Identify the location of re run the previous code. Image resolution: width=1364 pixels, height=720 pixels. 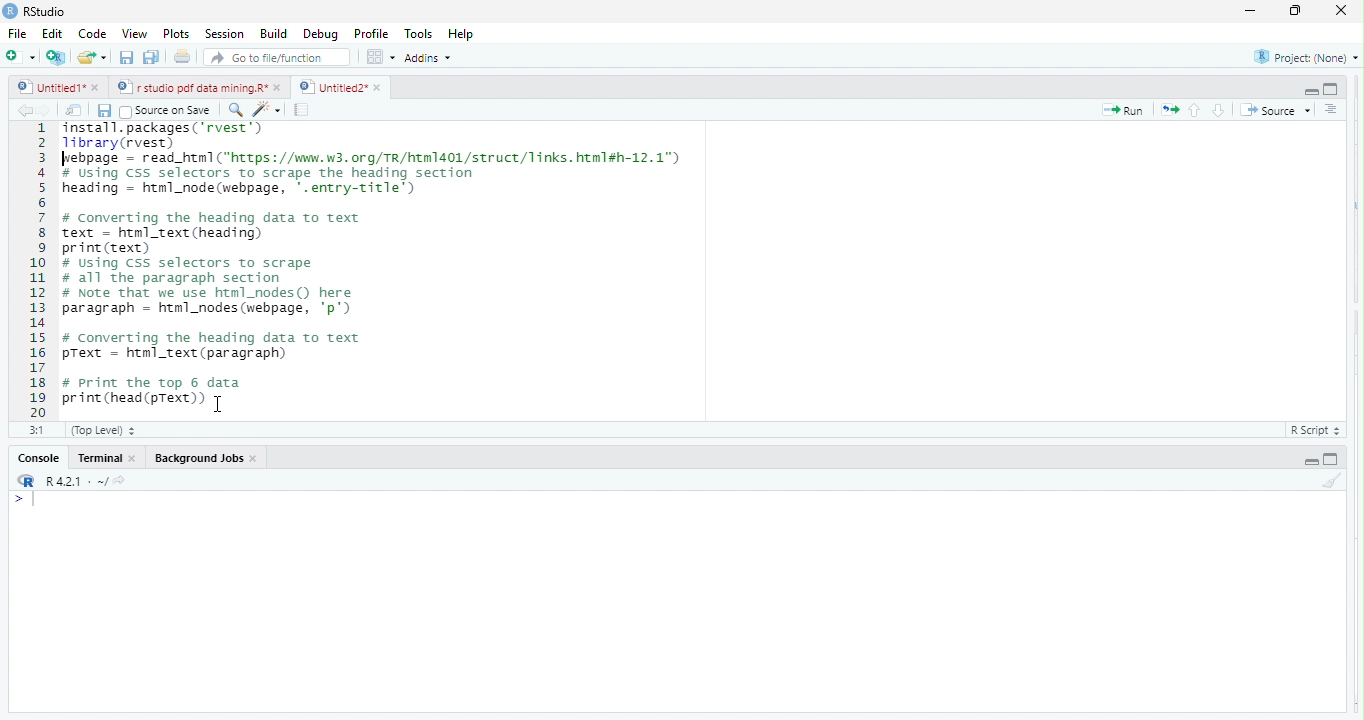
(1172, 110).